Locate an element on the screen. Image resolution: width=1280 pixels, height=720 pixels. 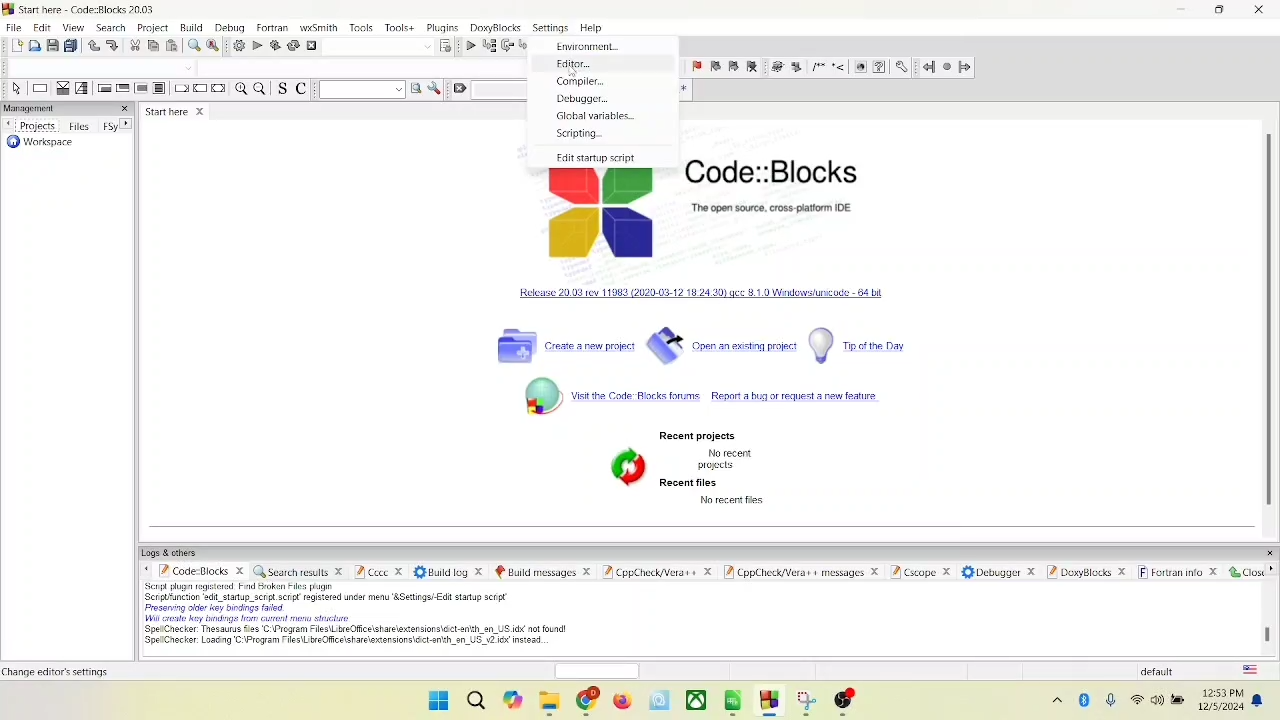
code::blocks is located at coordinates (771, 180).